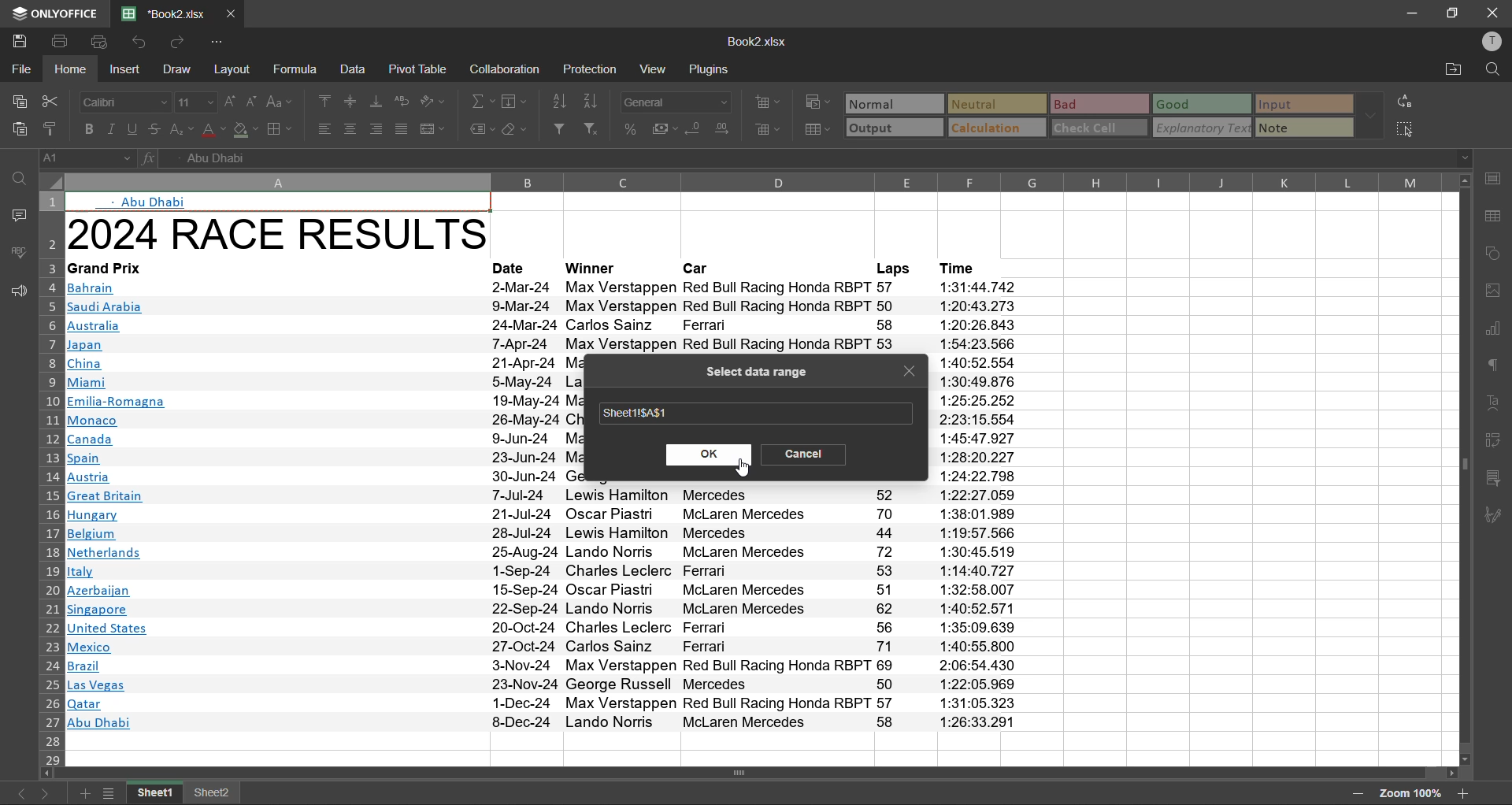 The width and height of the screenshot is (1512, 805). I want to click on bad, so click(1080, 104).